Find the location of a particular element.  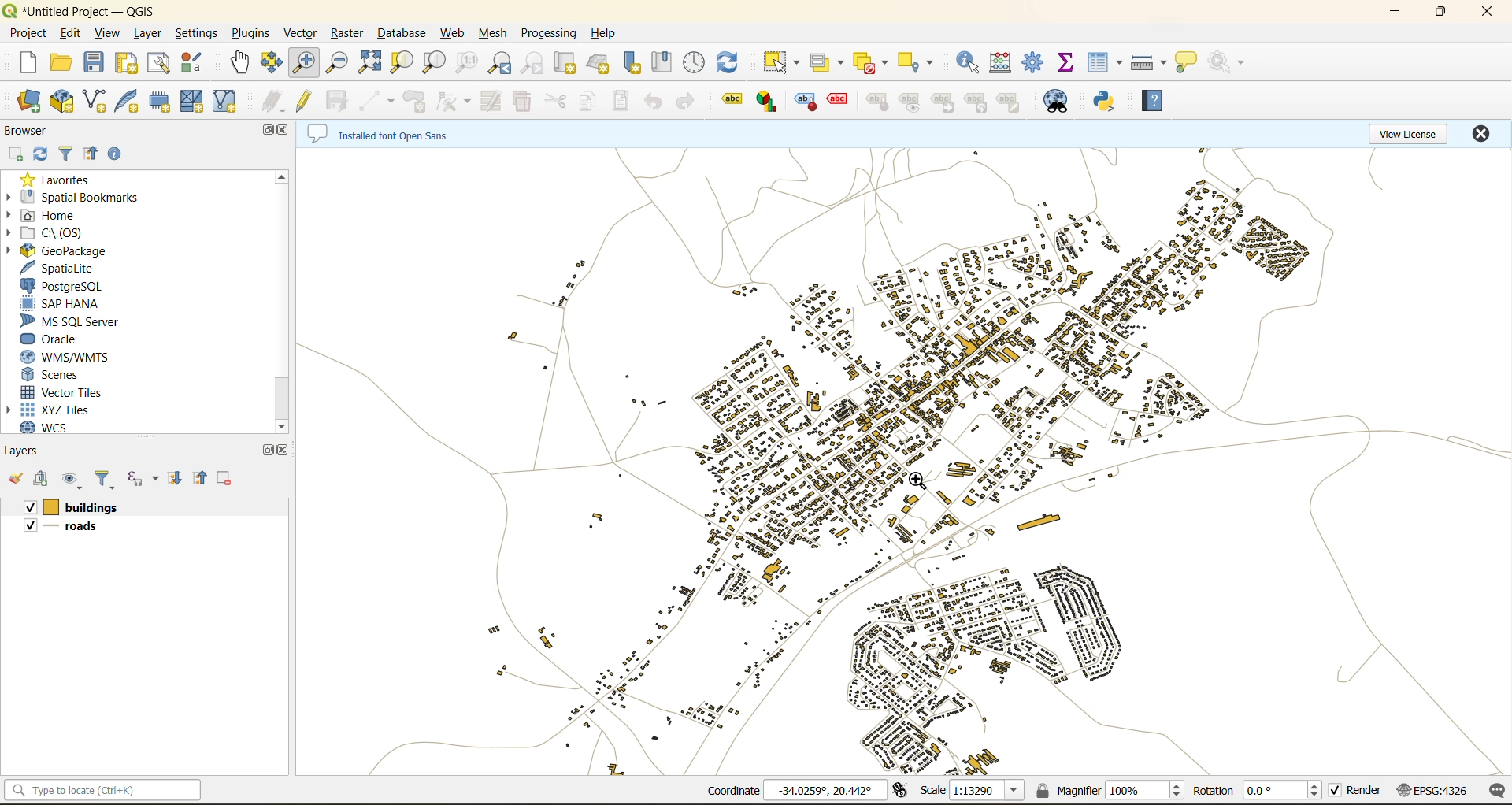

Rotate Label is located at coordinates (976, 102).